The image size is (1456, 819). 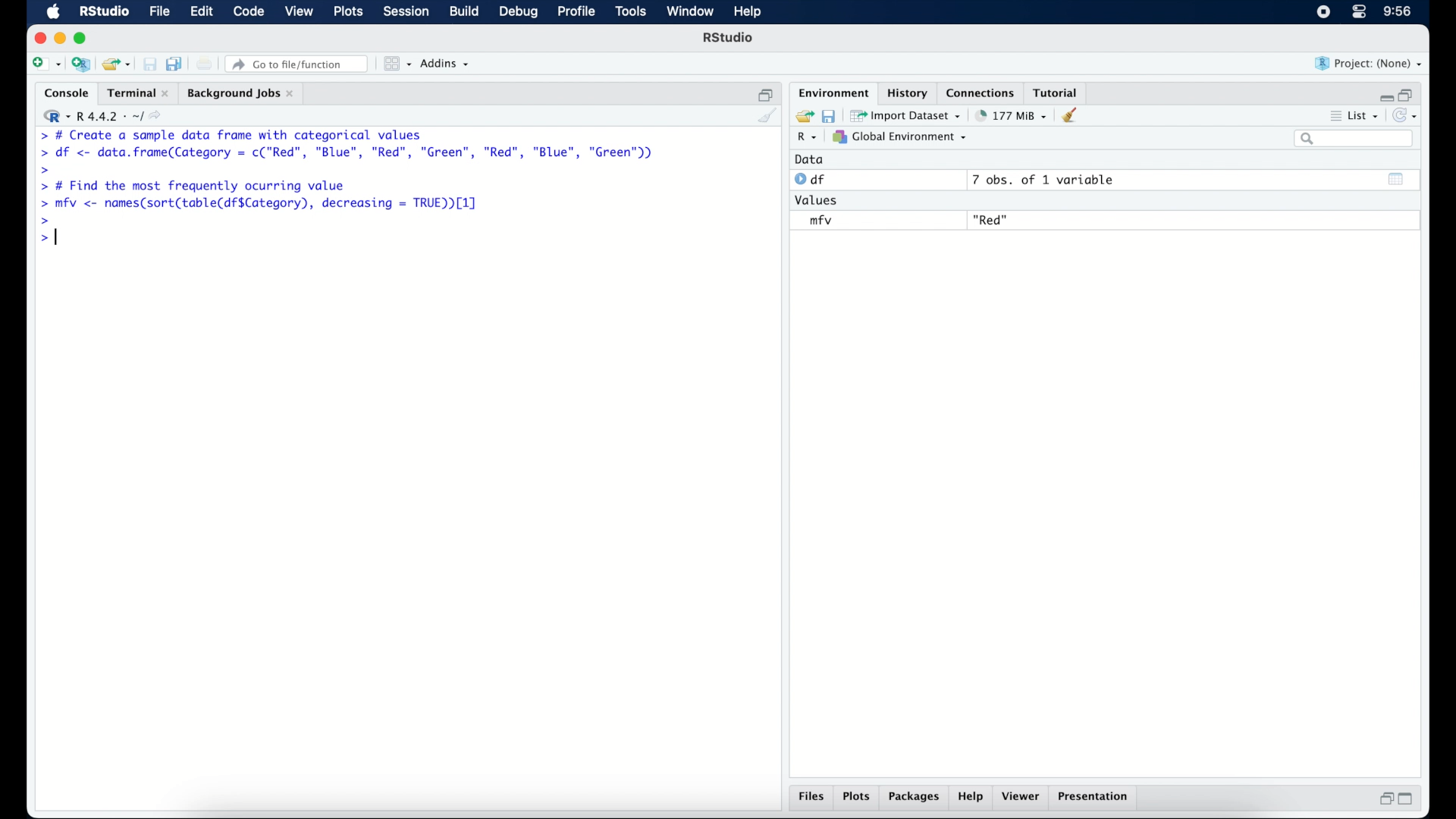 What do you see at coordinates (202, 187) in the screenshot?
I see `> # Find the most frequently ocurring value|` at bounding box center [202, 187].